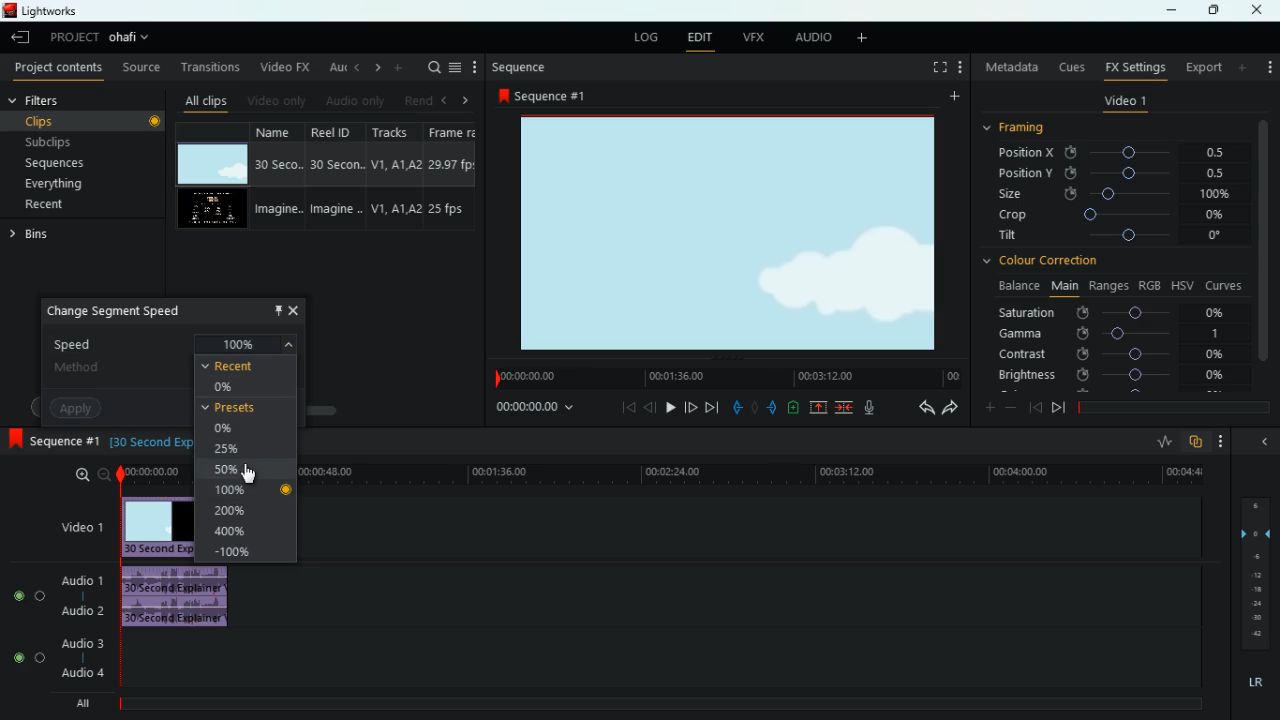 This screenshot has width=1280, height=720. What do you see at coordinates (354, 67) in the screenshot?
I see `left` at bounding box center [354, 67].